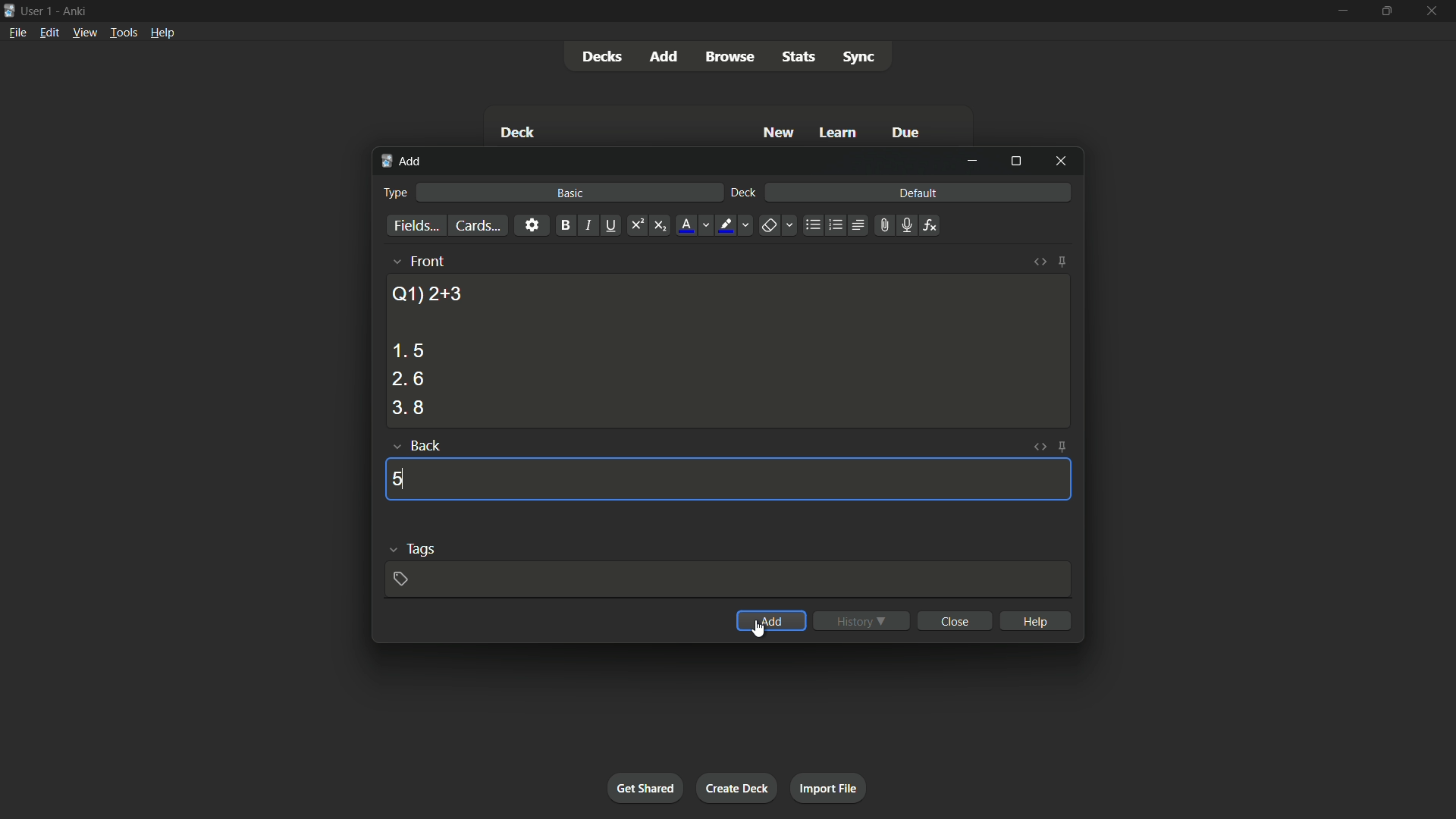 Image resolution: width=1456 pixels, height=819 pixels. Describe the element at coordinates (836, 225) in the screenshot. I see `ordered list` at that location.